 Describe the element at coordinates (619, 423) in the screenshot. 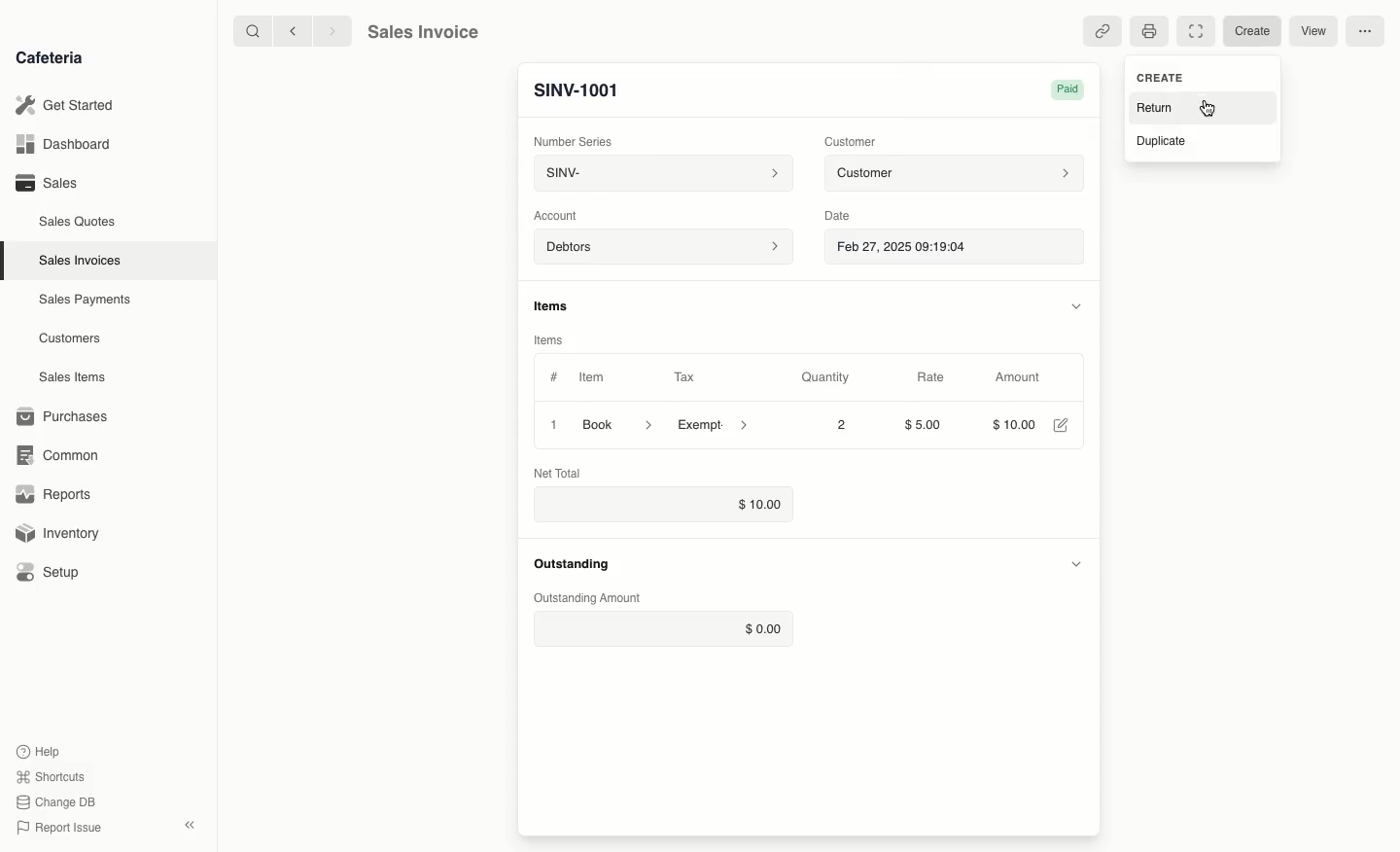

I see `Book >` at that location.